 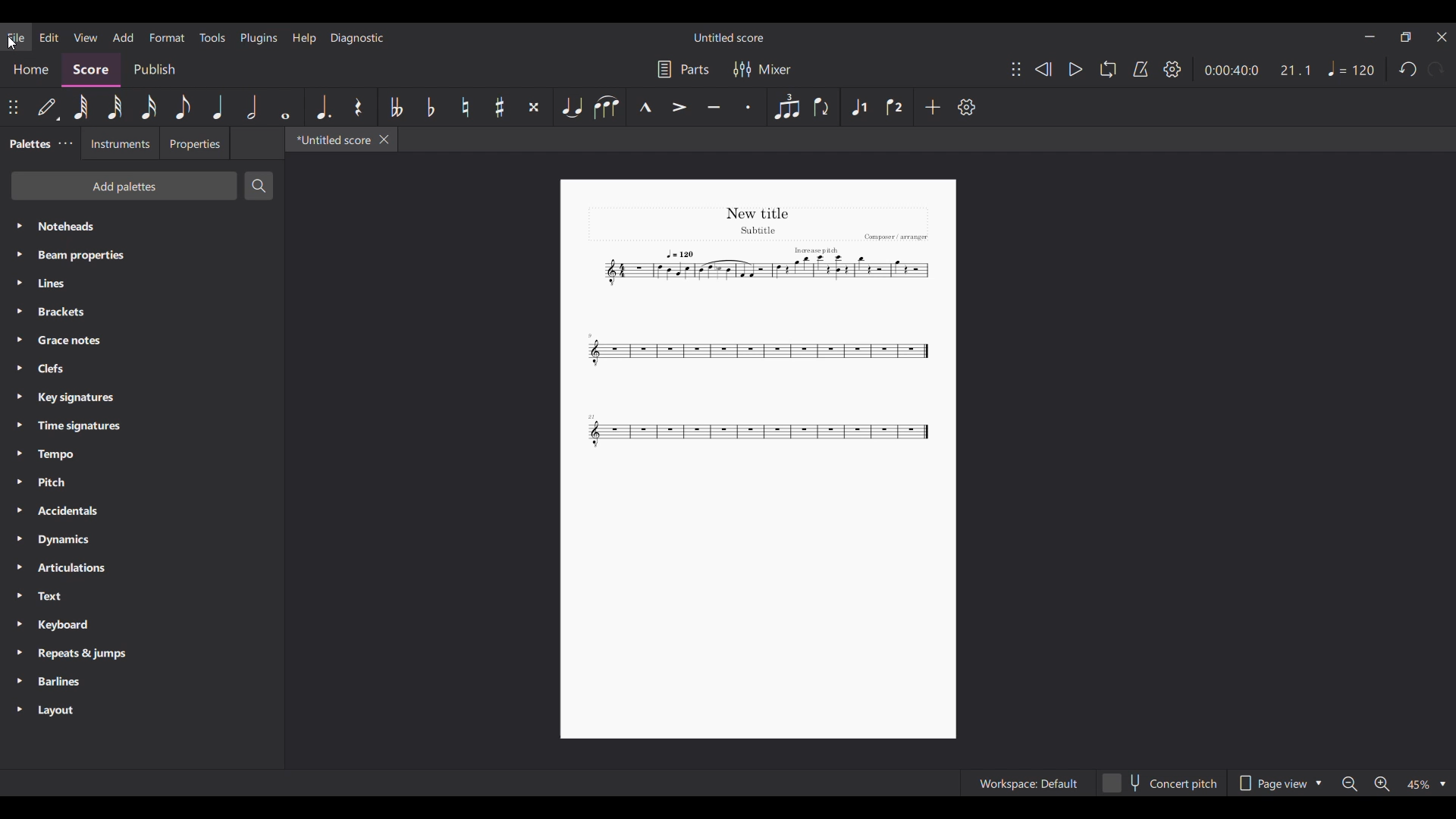 I want to click on Augmentation dot, so click(x=323, y=107).